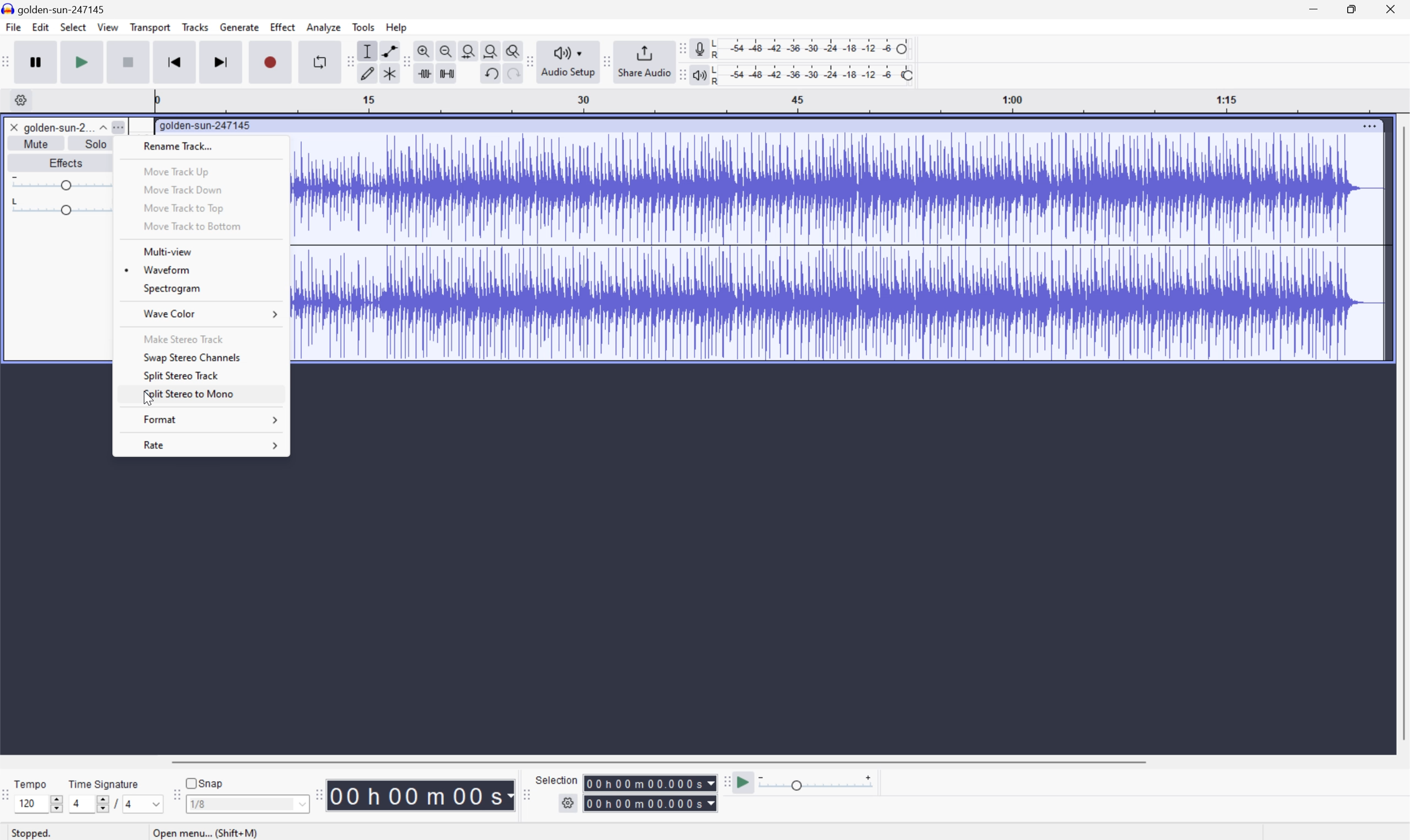 This screenshot has width=1410, height=840. Describe the element at coordinates (569, 803) in the screenshot. I see `settings` at that location.